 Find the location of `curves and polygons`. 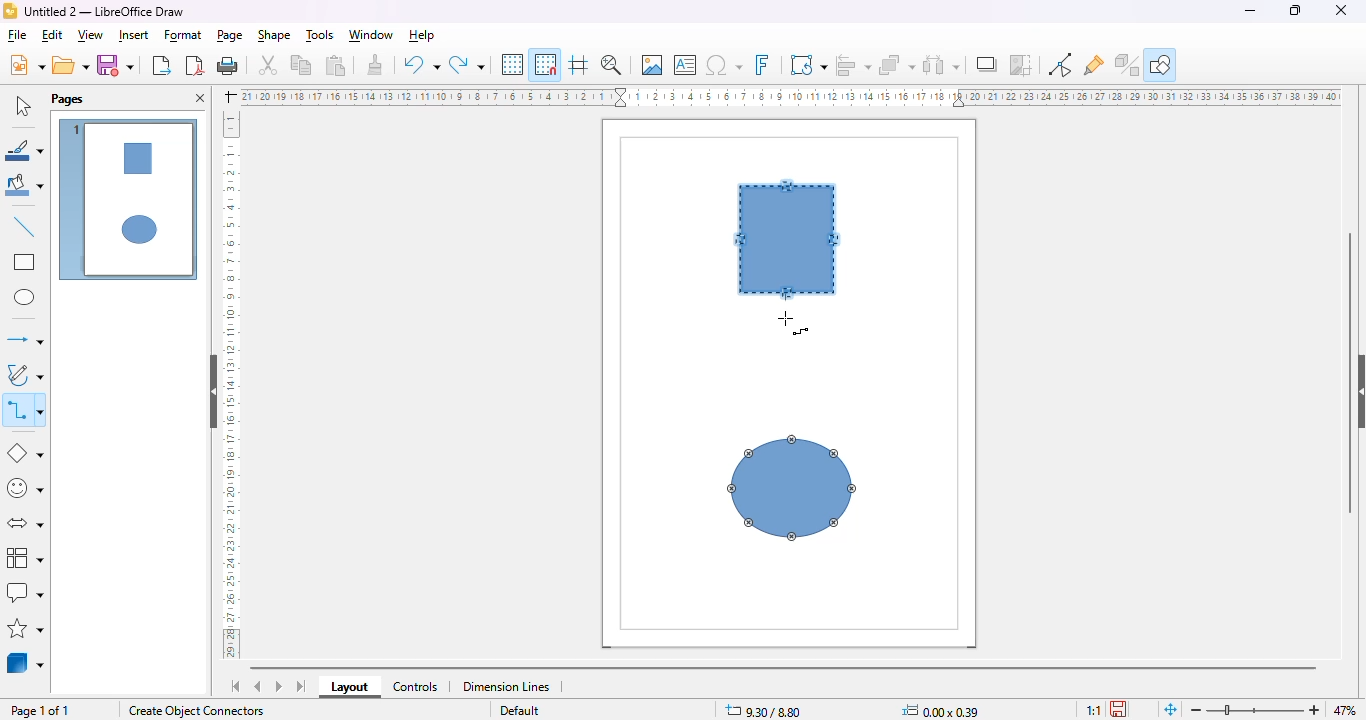

curves and polygons is located at coordinates (26, 376).